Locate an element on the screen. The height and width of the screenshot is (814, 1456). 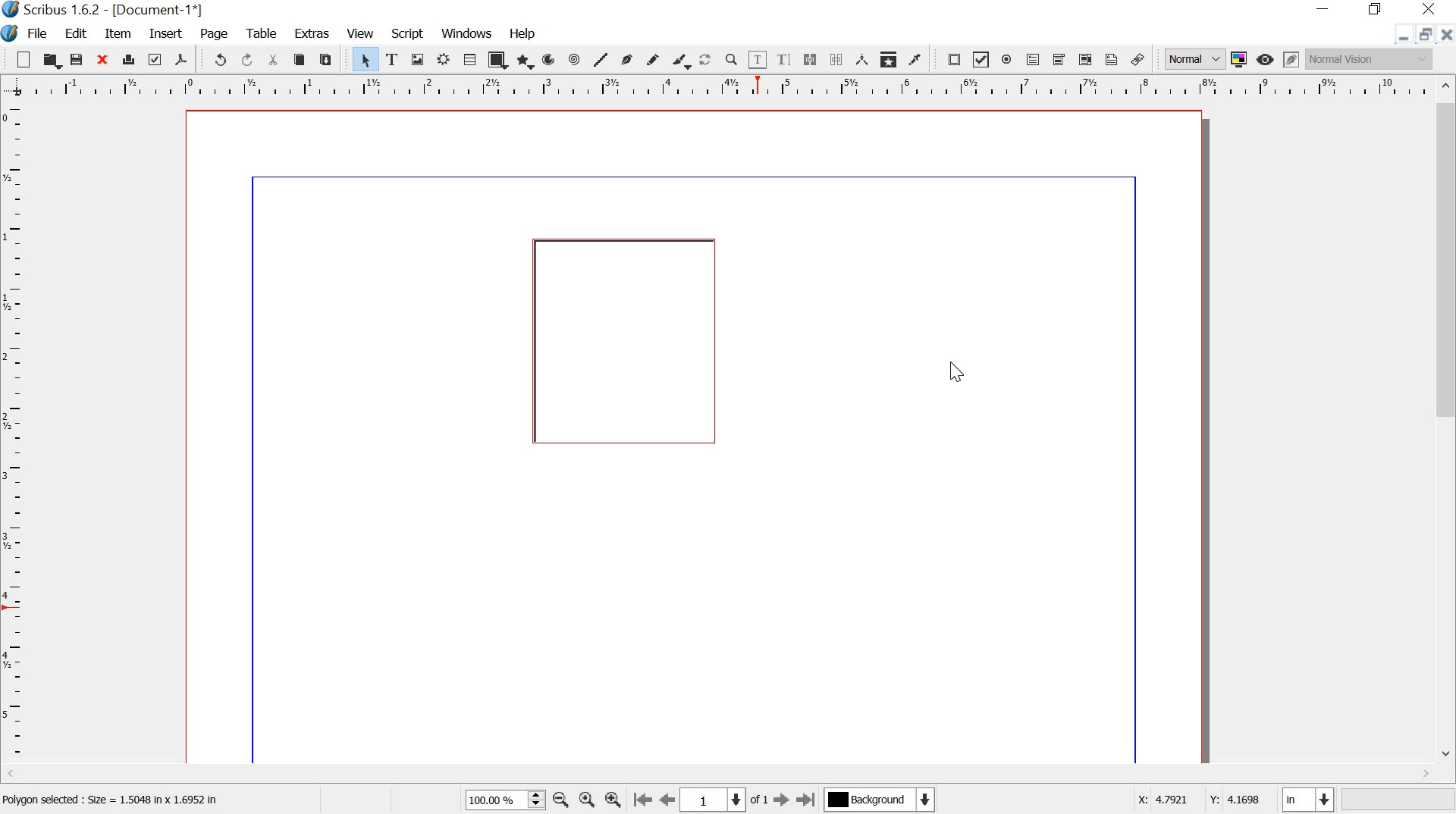
zoom to is located at coordinates (586, 800).